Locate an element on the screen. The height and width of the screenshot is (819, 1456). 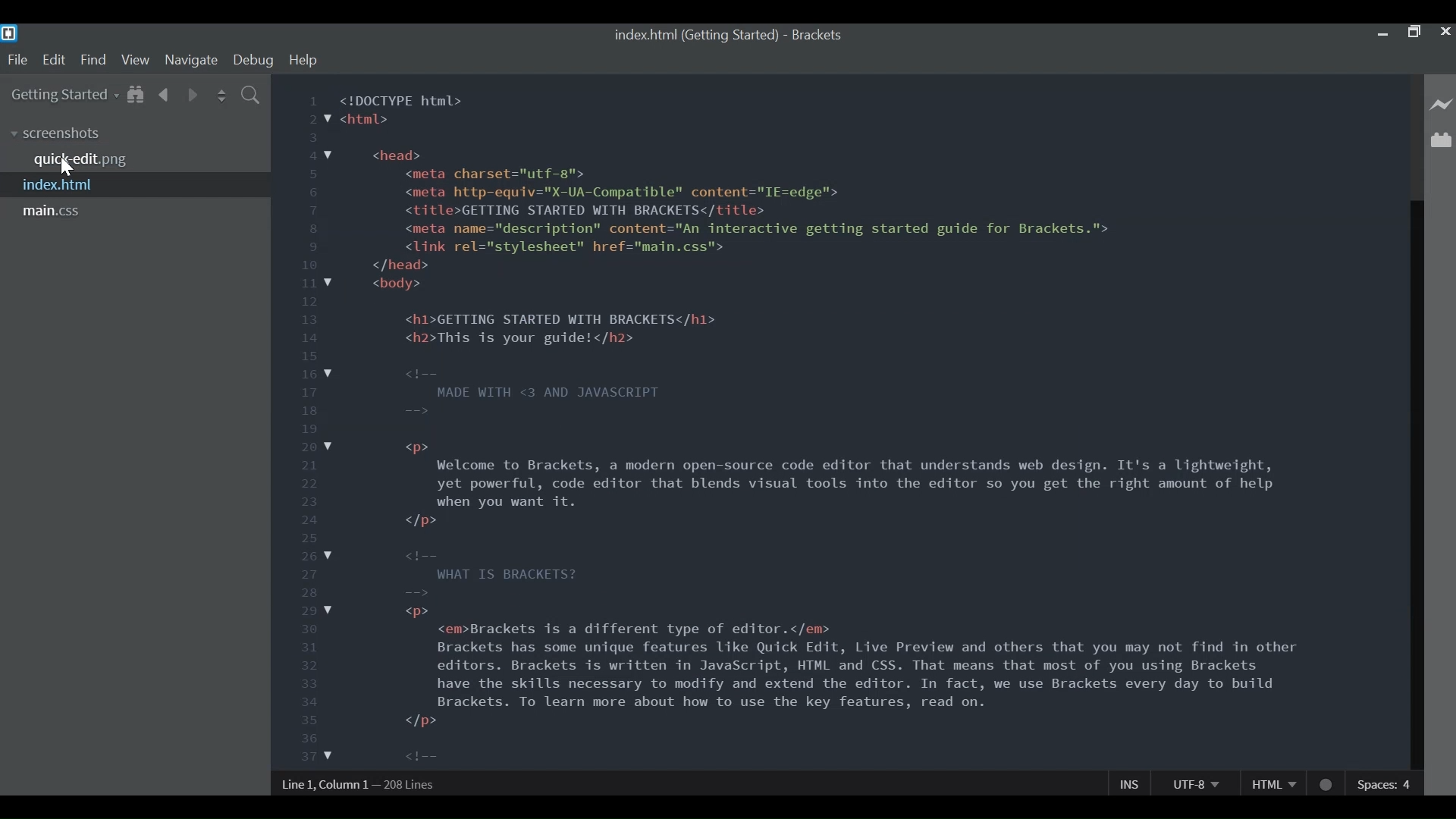
Edit is located at coordinates (53, 60).